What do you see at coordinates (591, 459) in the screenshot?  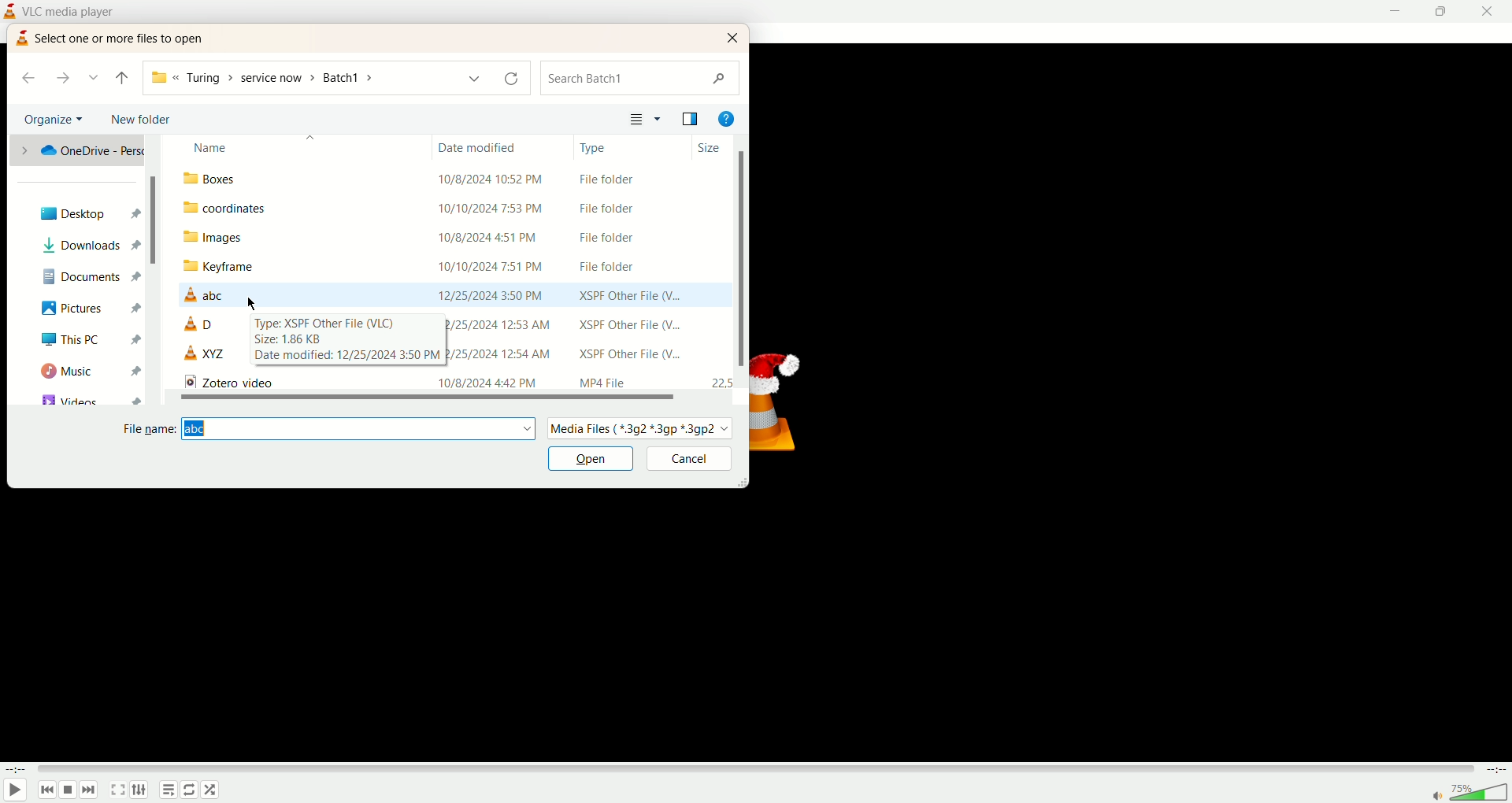 I see `open` at bounding box center [591, 459].